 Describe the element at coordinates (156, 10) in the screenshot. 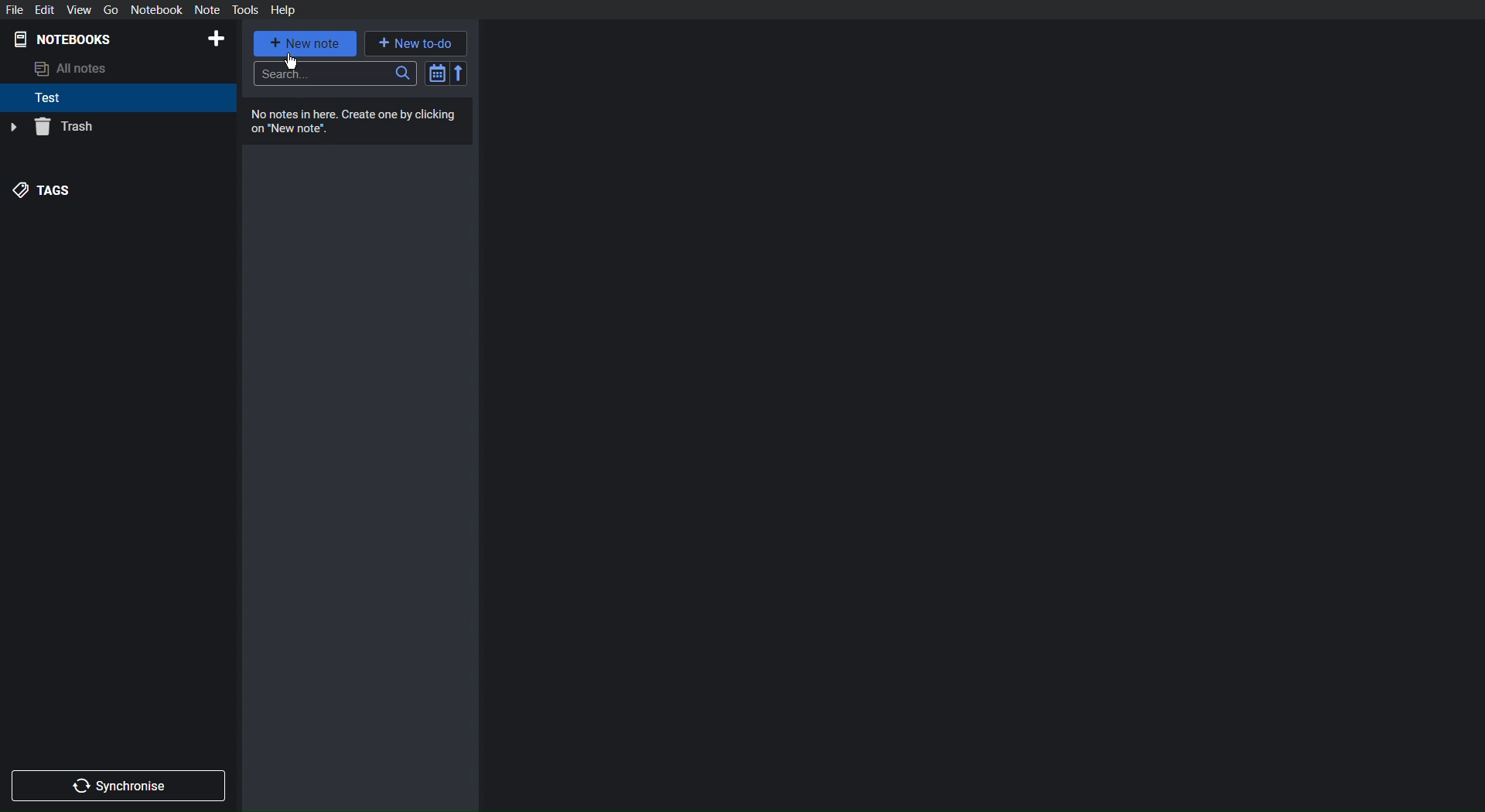

I see `Notebook` at that location.